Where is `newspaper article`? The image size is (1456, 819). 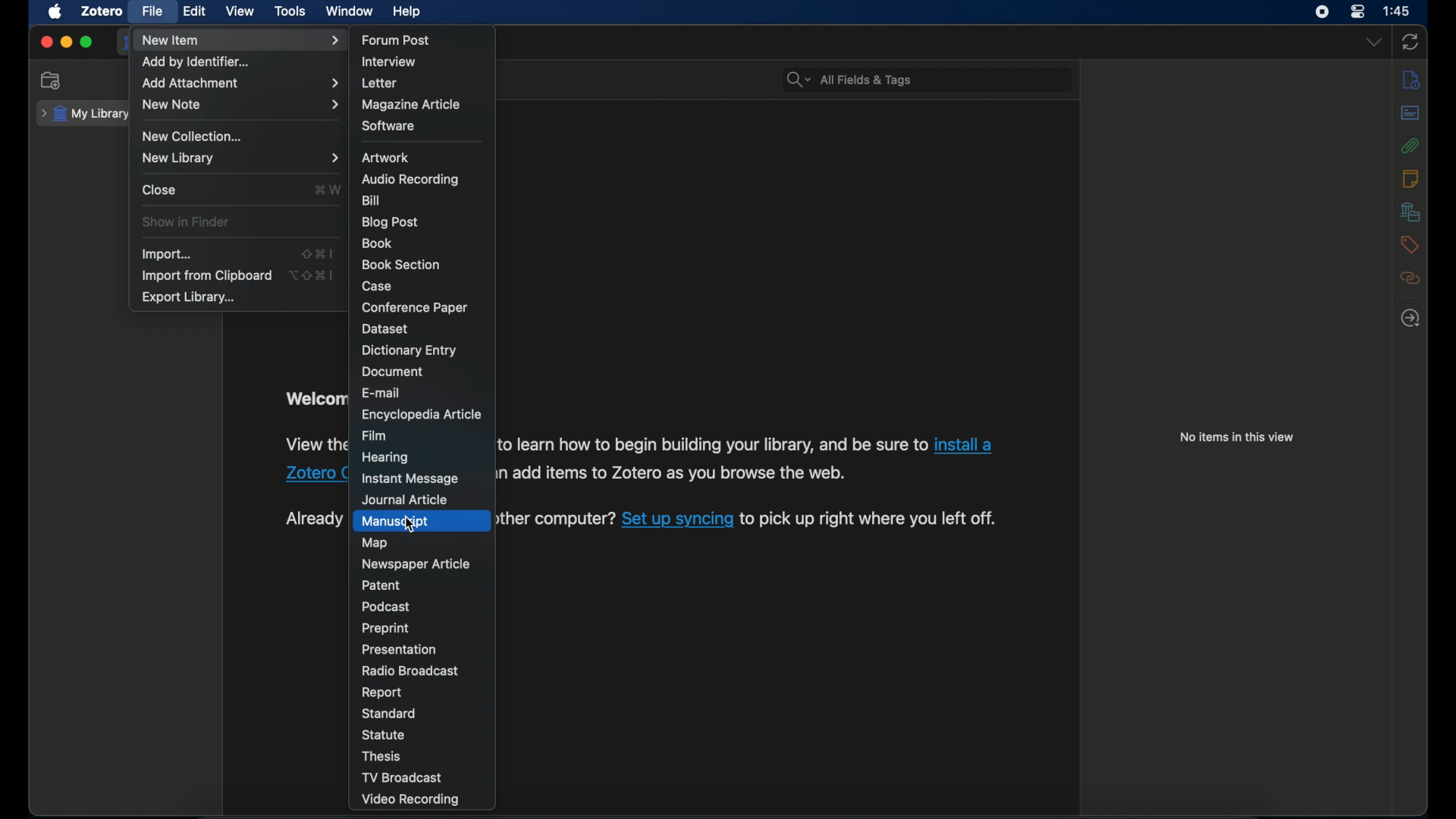 newspaper article is located at coordinates (415, 564).